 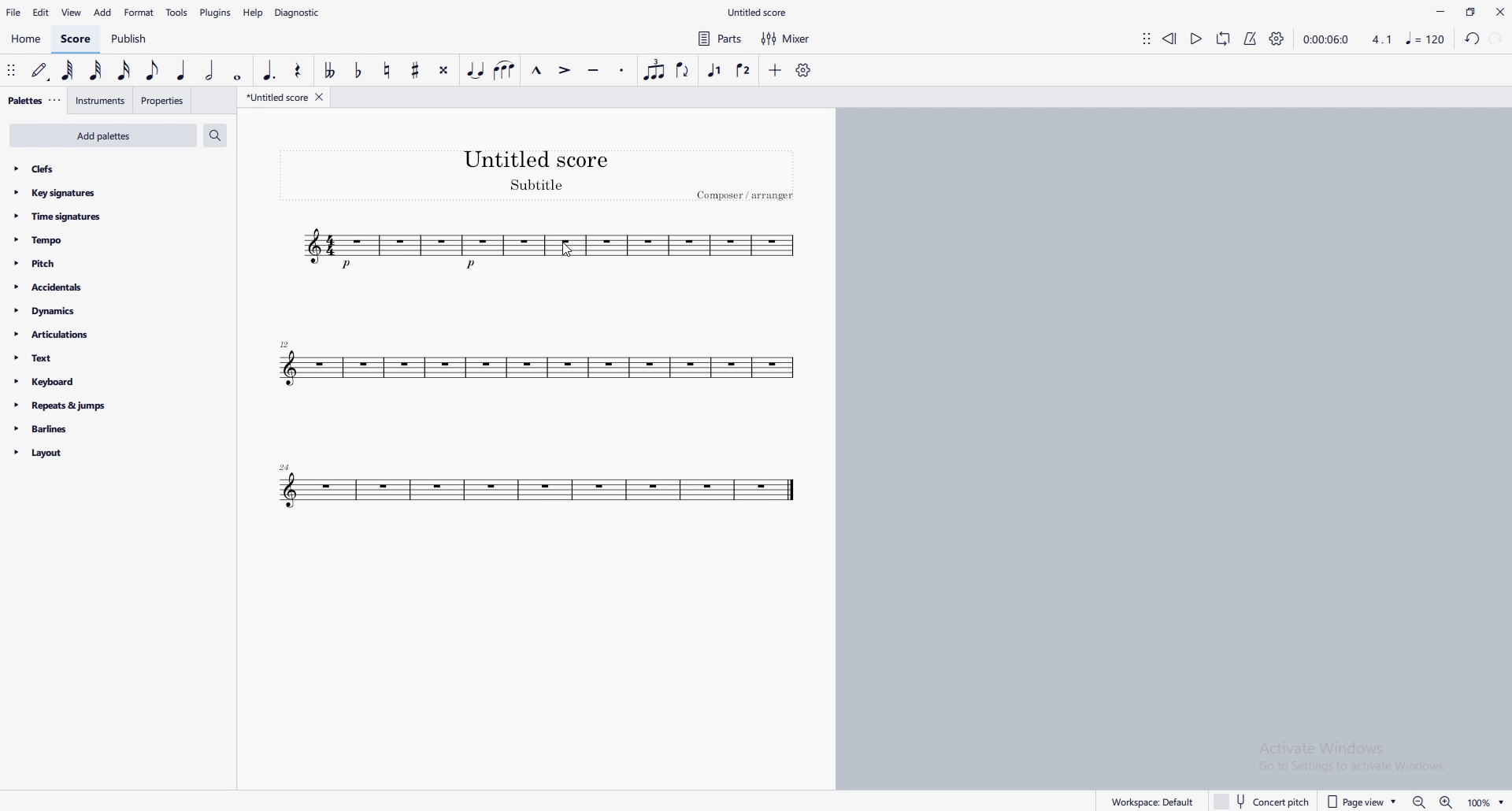 I want to click on accidents, so click(x=101, y=286).